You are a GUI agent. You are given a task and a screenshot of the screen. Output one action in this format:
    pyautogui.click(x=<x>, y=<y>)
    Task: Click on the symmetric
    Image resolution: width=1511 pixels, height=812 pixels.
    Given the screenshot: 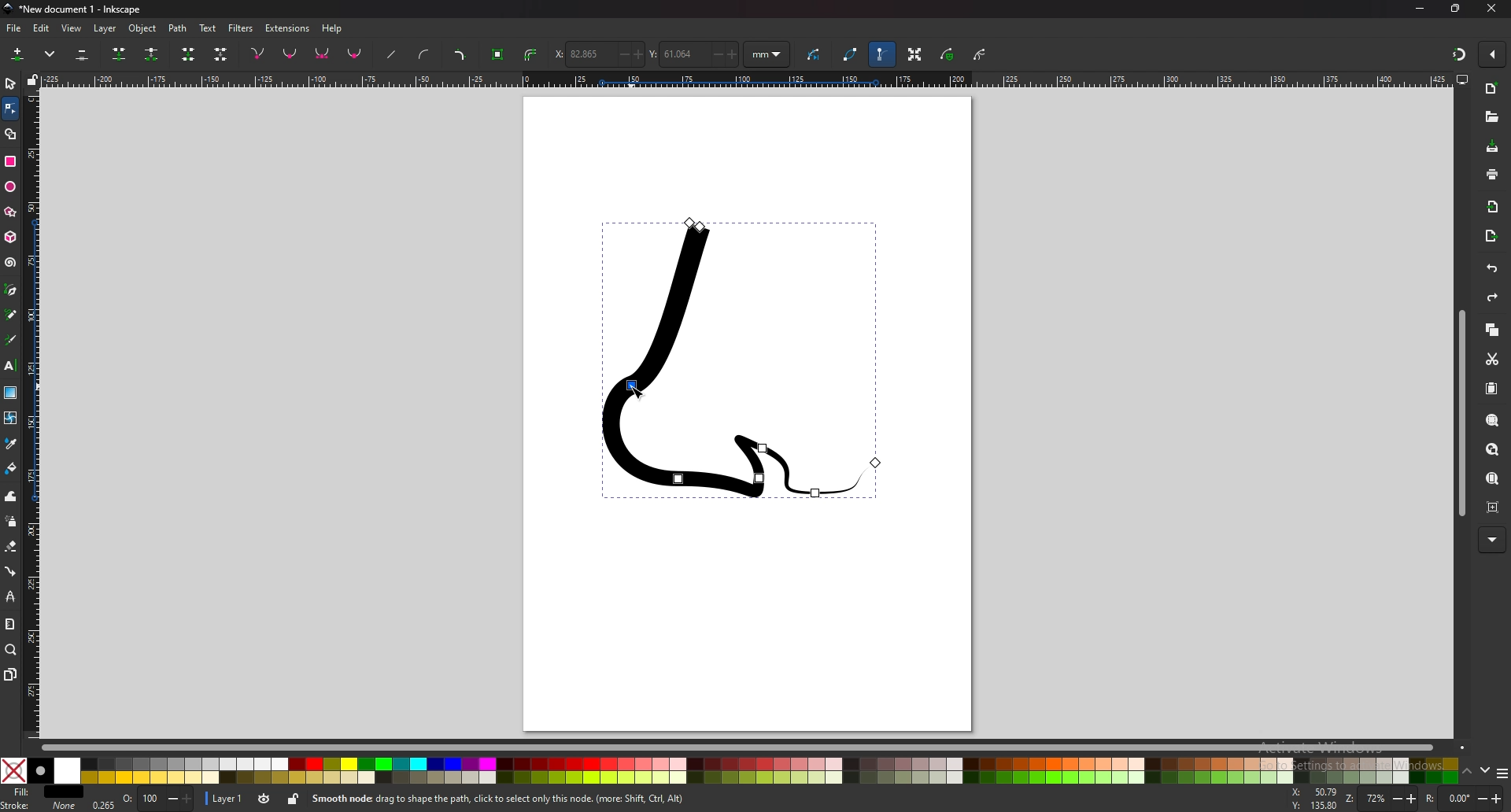 What is the action you would take?
    pyautogui.click(x=323, y=54)
    